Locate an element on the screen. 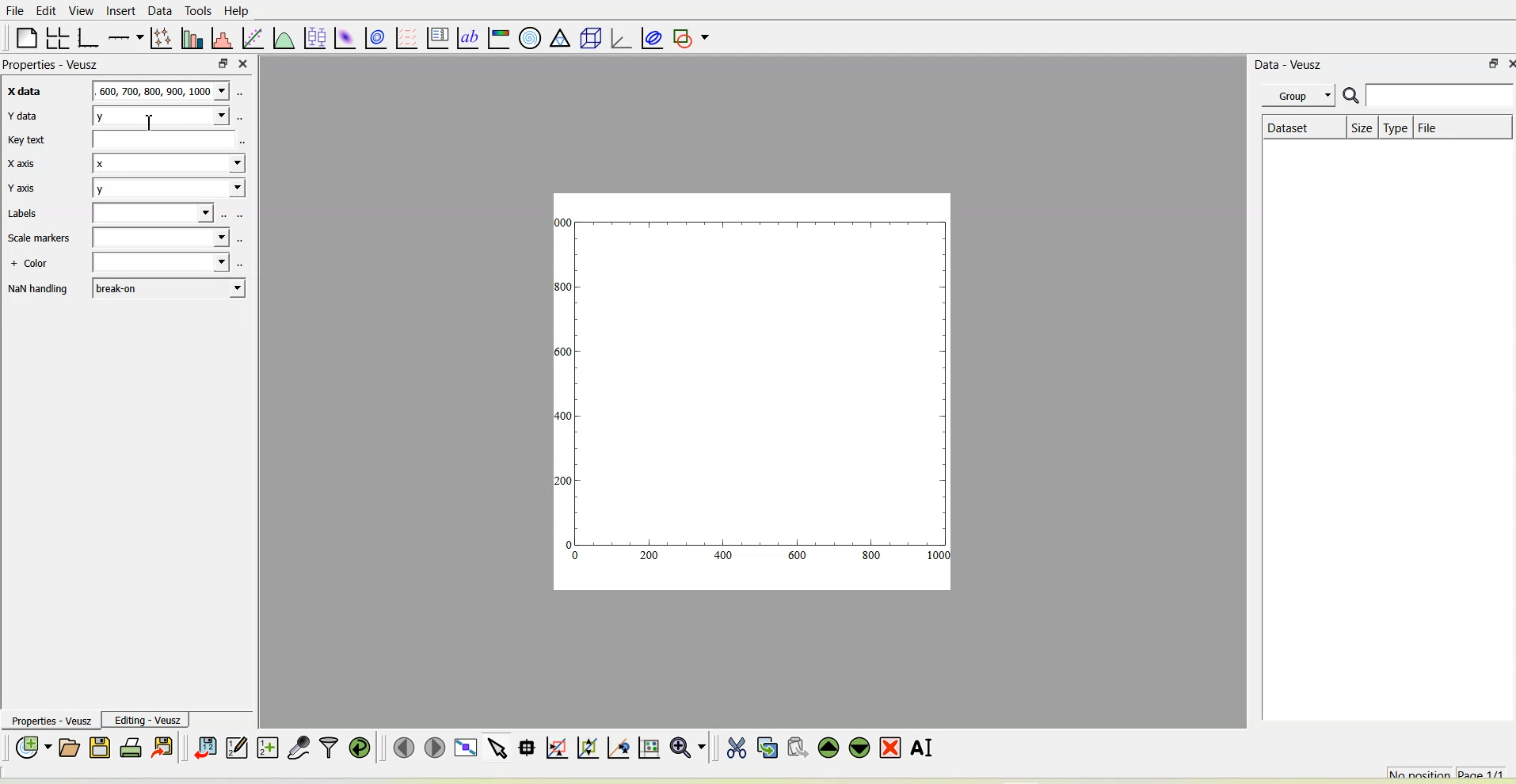  Blank is located at coordinates (159, 261).